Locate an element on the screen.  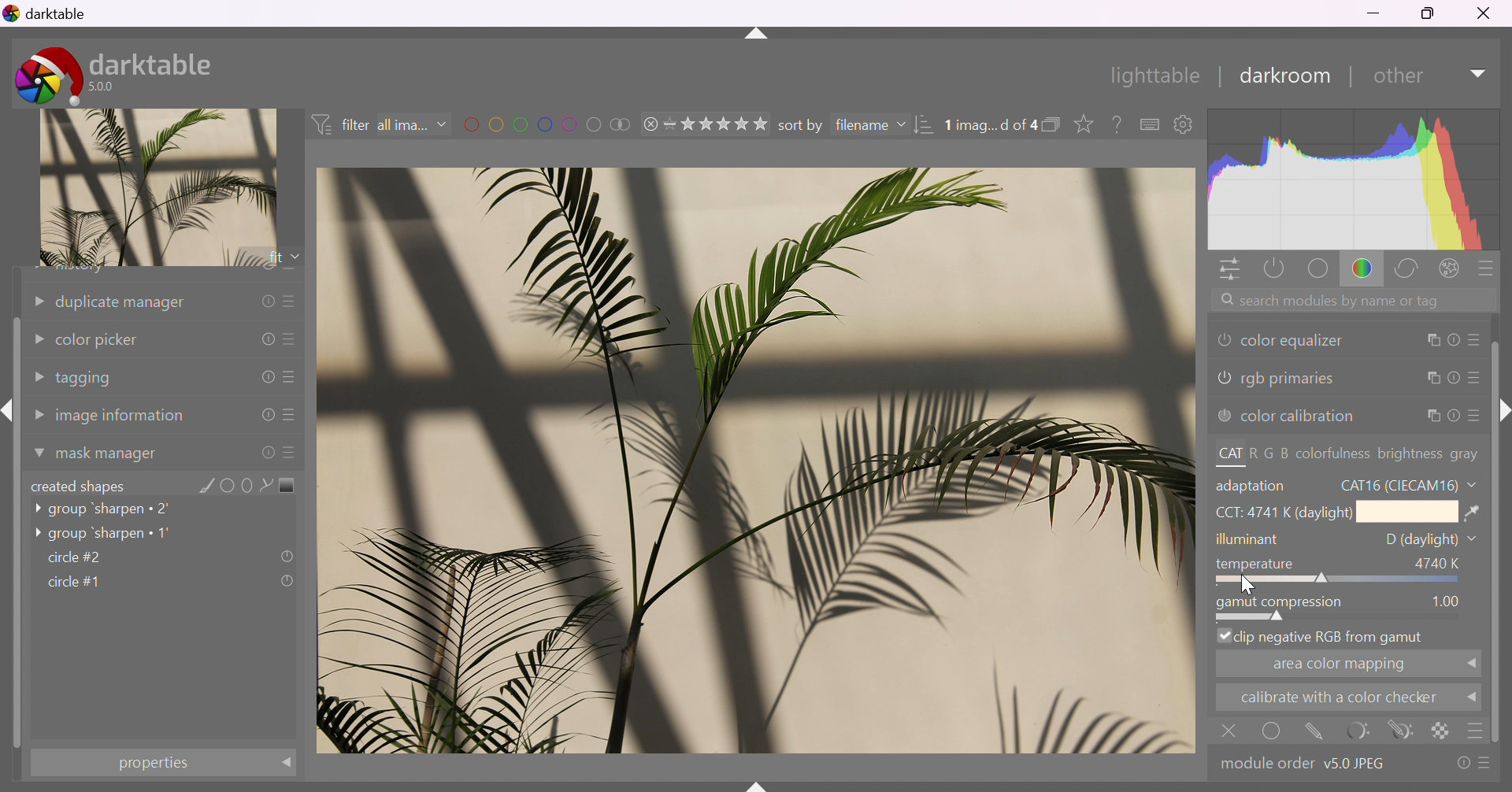
collapse grouped image is located at coordinates (1052, 126).